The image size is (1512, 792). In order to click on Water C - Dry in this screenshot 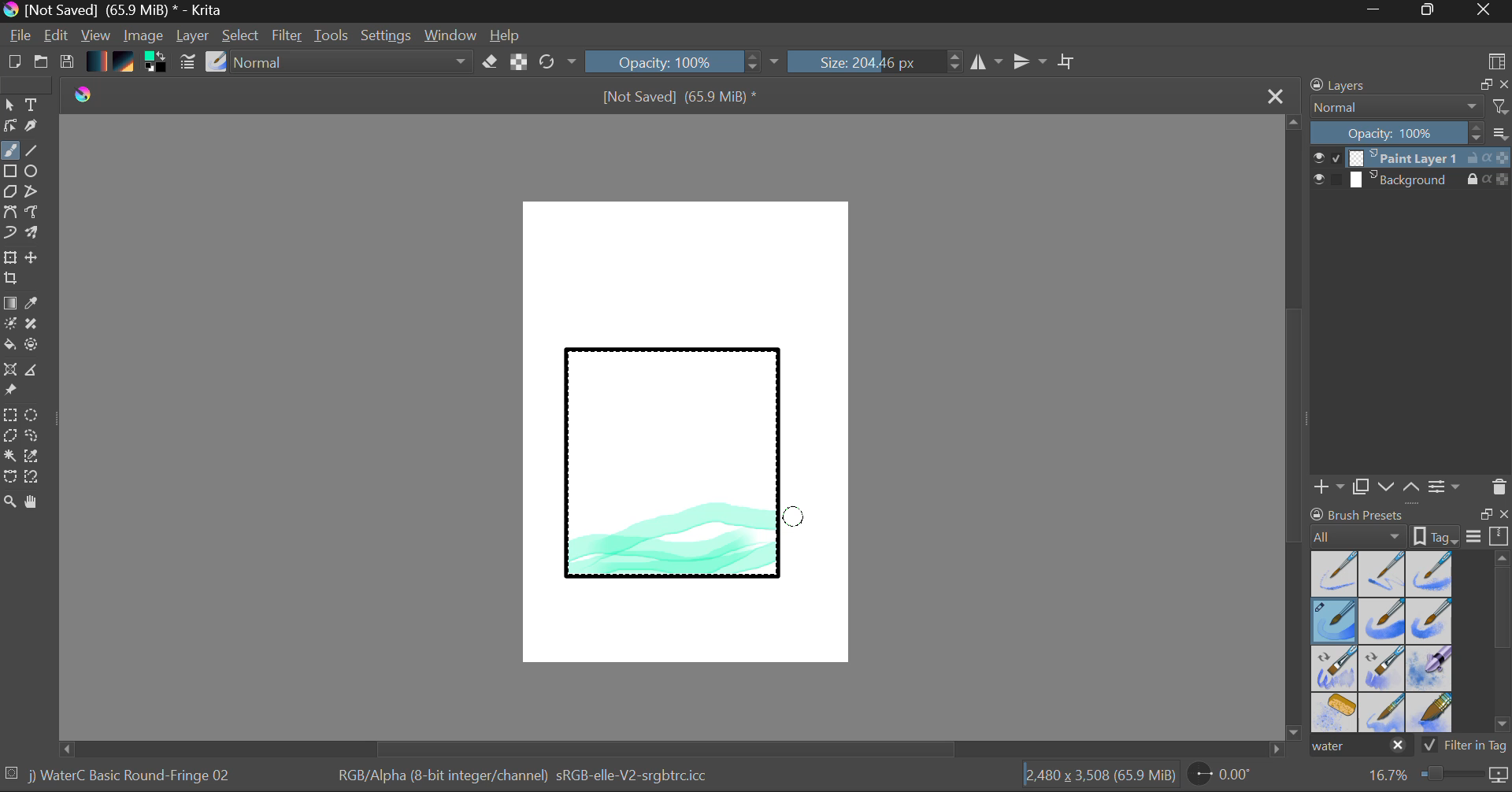, I will do `click(1336, 572)`.